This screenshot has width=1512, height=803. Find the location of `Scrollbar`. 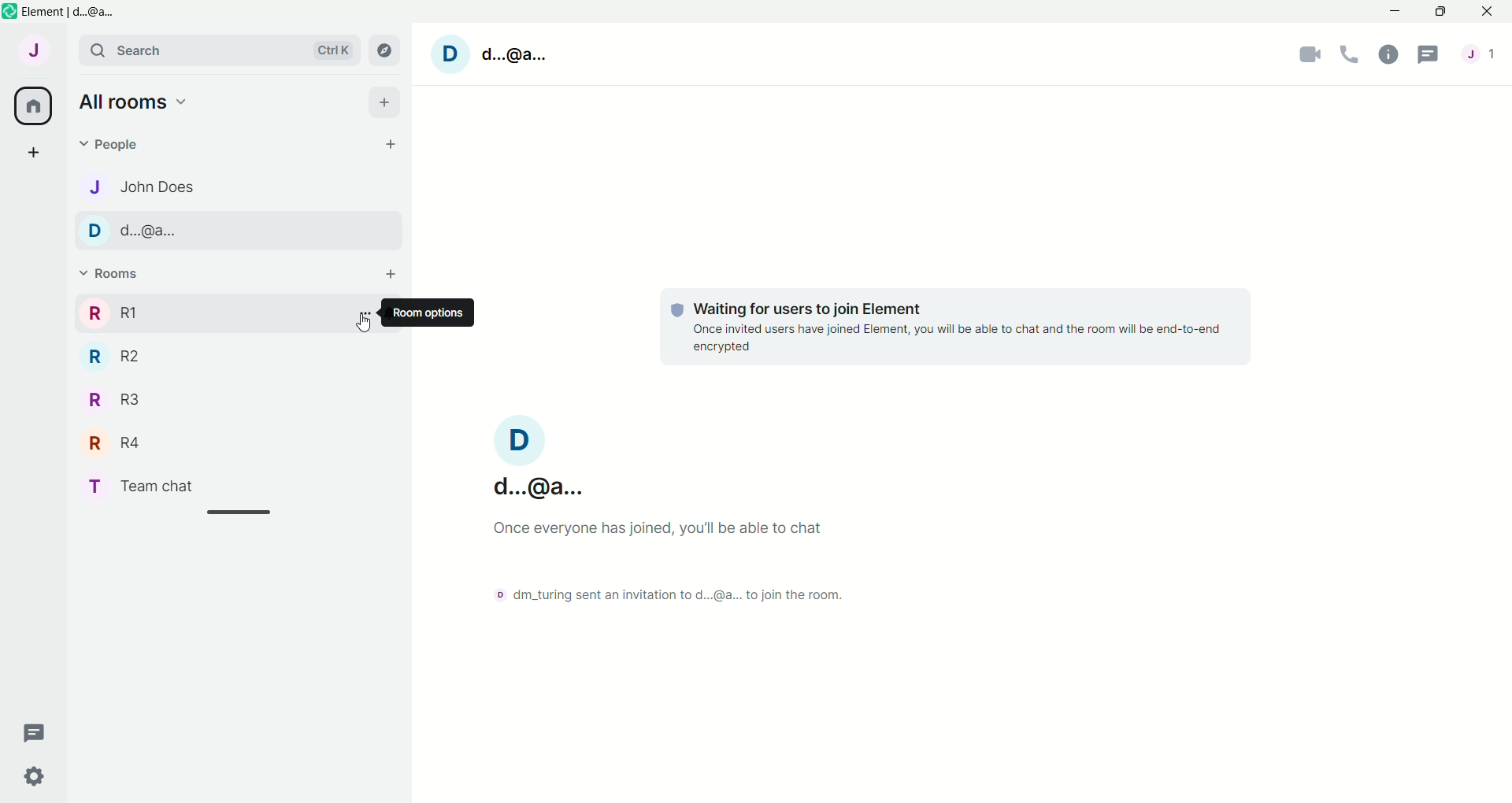

Scrollbar is located at coordinates (243, 511).